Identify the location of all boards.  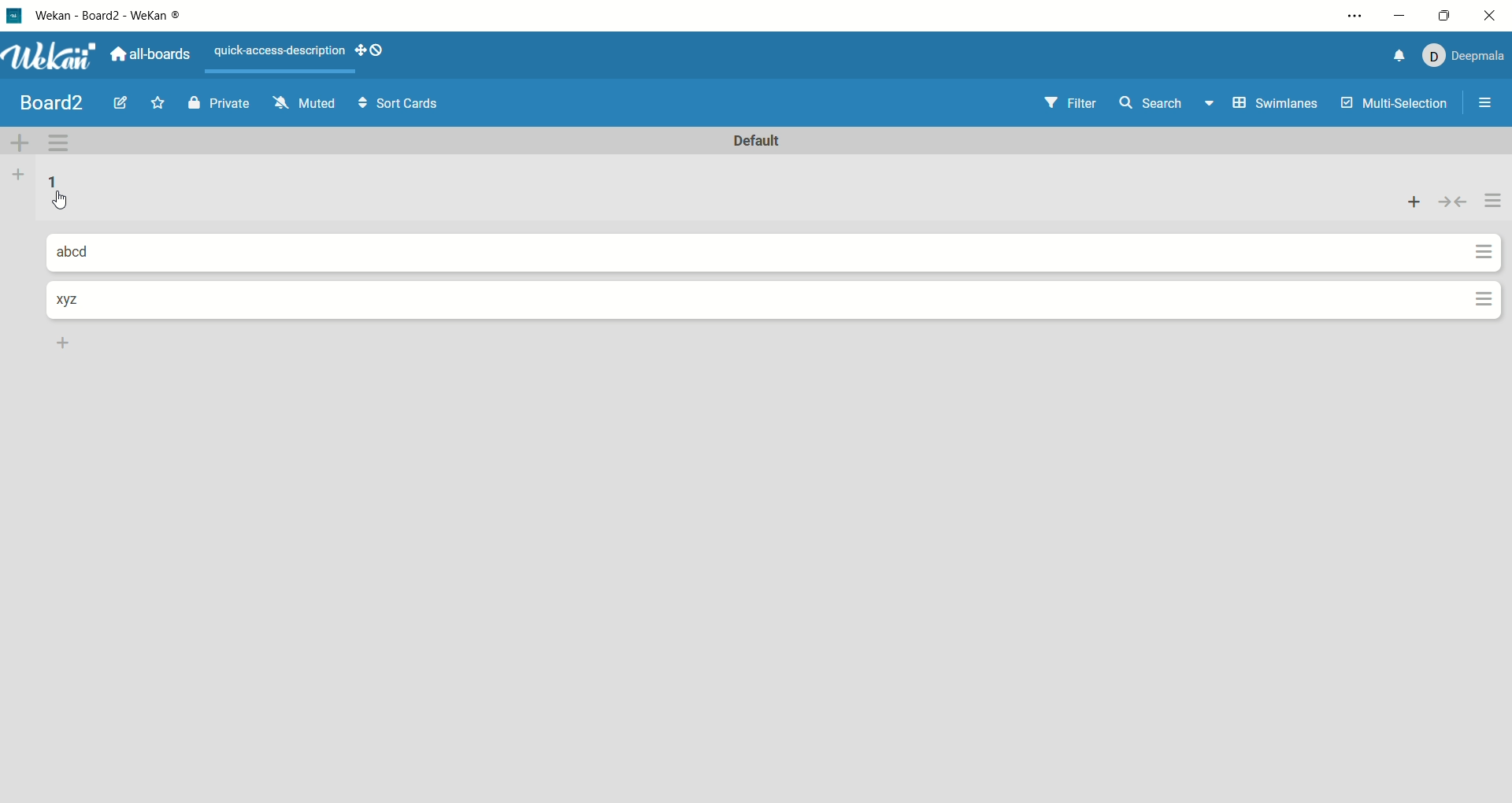
(152, 52).